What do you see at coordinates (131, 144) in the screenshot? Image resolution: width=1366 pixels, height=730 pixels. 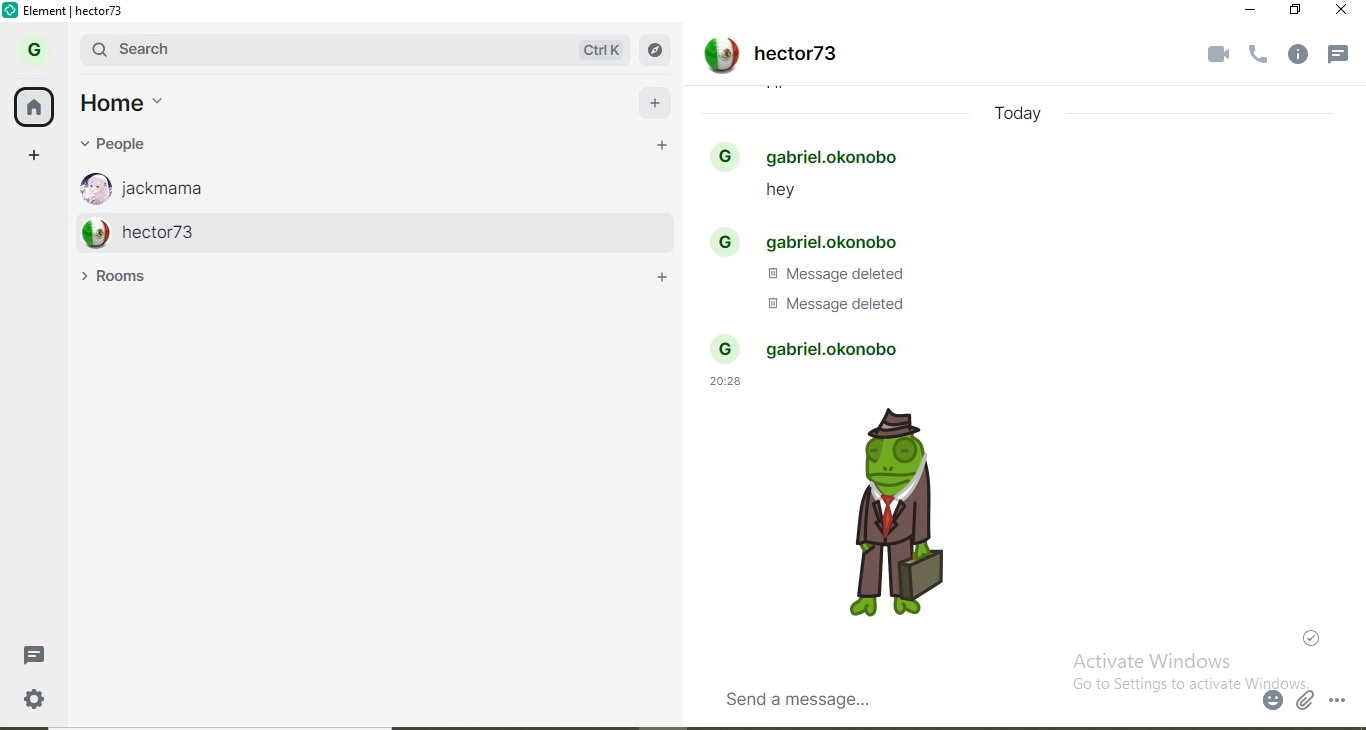 I see `people` at bounding box center [131, 144].